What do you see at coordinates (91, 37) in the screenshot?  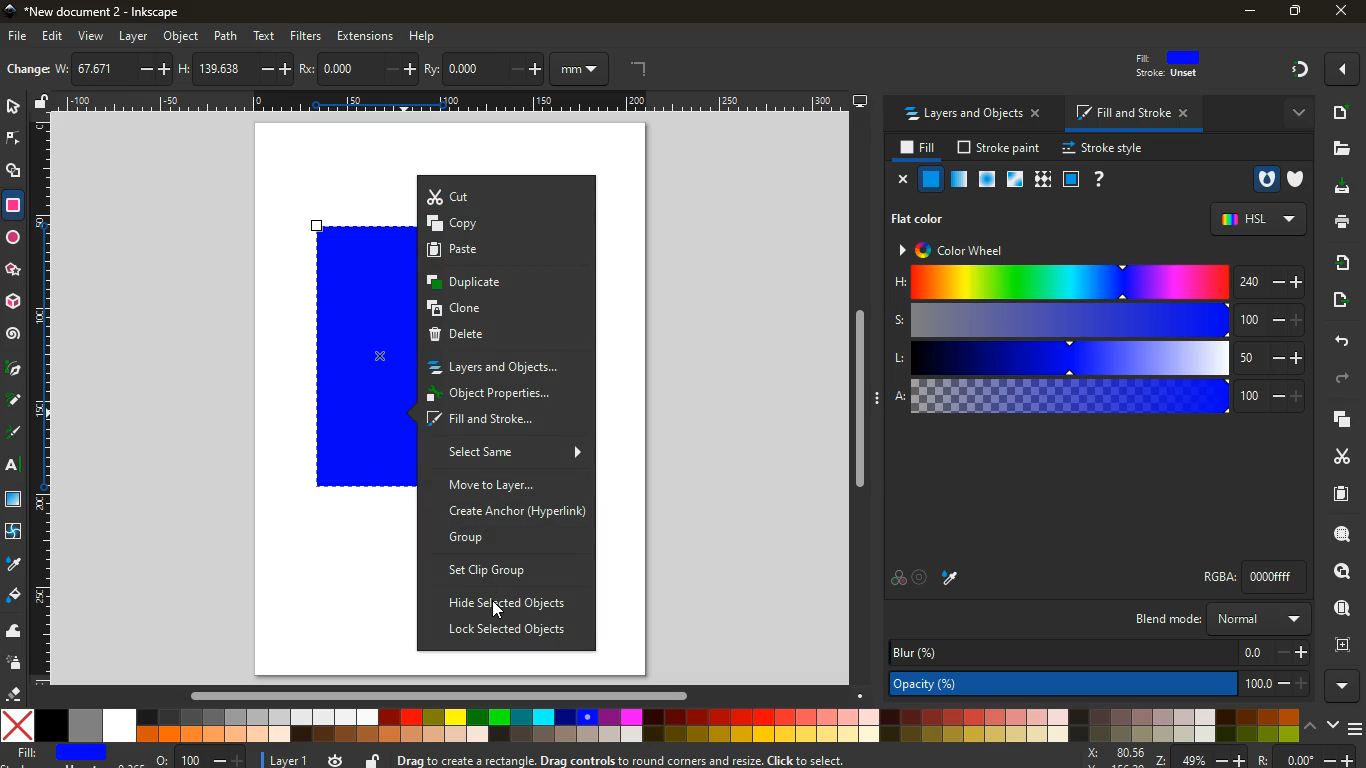 I see `view` at bounding box center [91, 37].